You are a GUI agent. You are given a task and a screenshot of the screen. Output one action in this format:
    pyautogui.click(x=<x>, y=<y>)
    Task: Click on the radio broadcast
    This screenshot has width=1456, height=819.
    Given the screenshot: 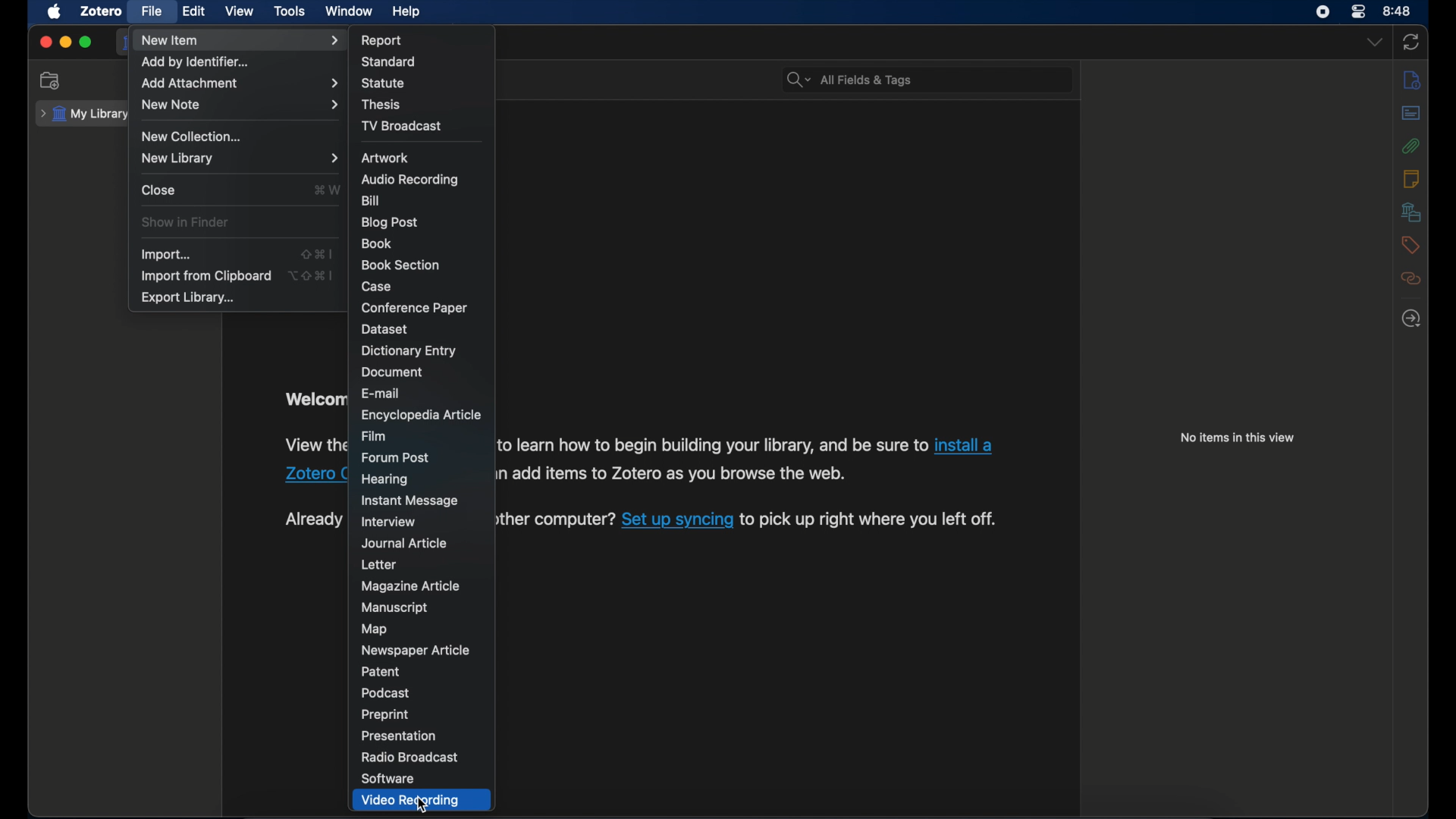 What is the action you would take?
    pyautogui.click(x=411, y=757)
    